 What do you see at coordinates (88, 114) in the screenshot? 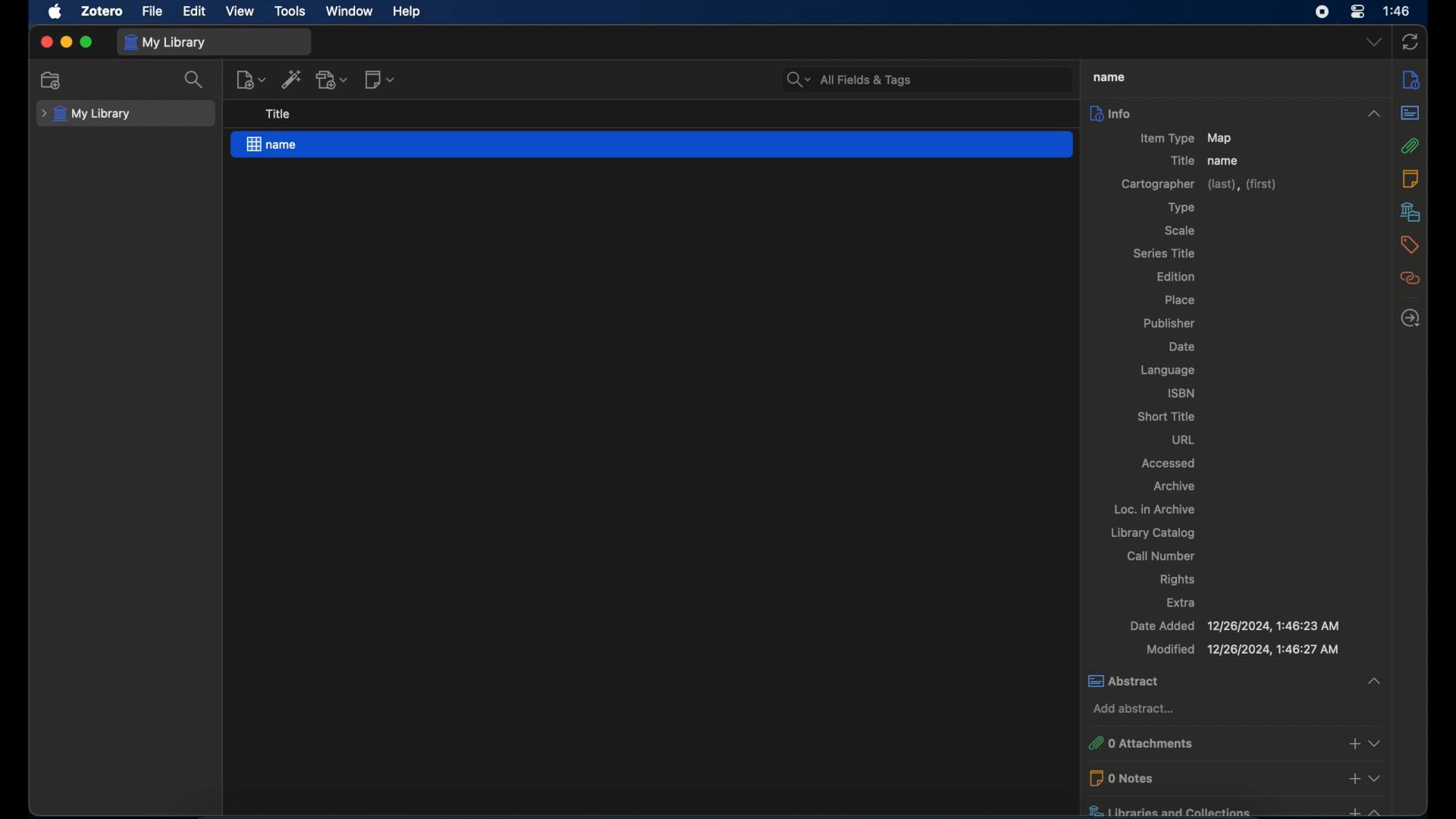
I see `my library` at bounding box center [88, 114].